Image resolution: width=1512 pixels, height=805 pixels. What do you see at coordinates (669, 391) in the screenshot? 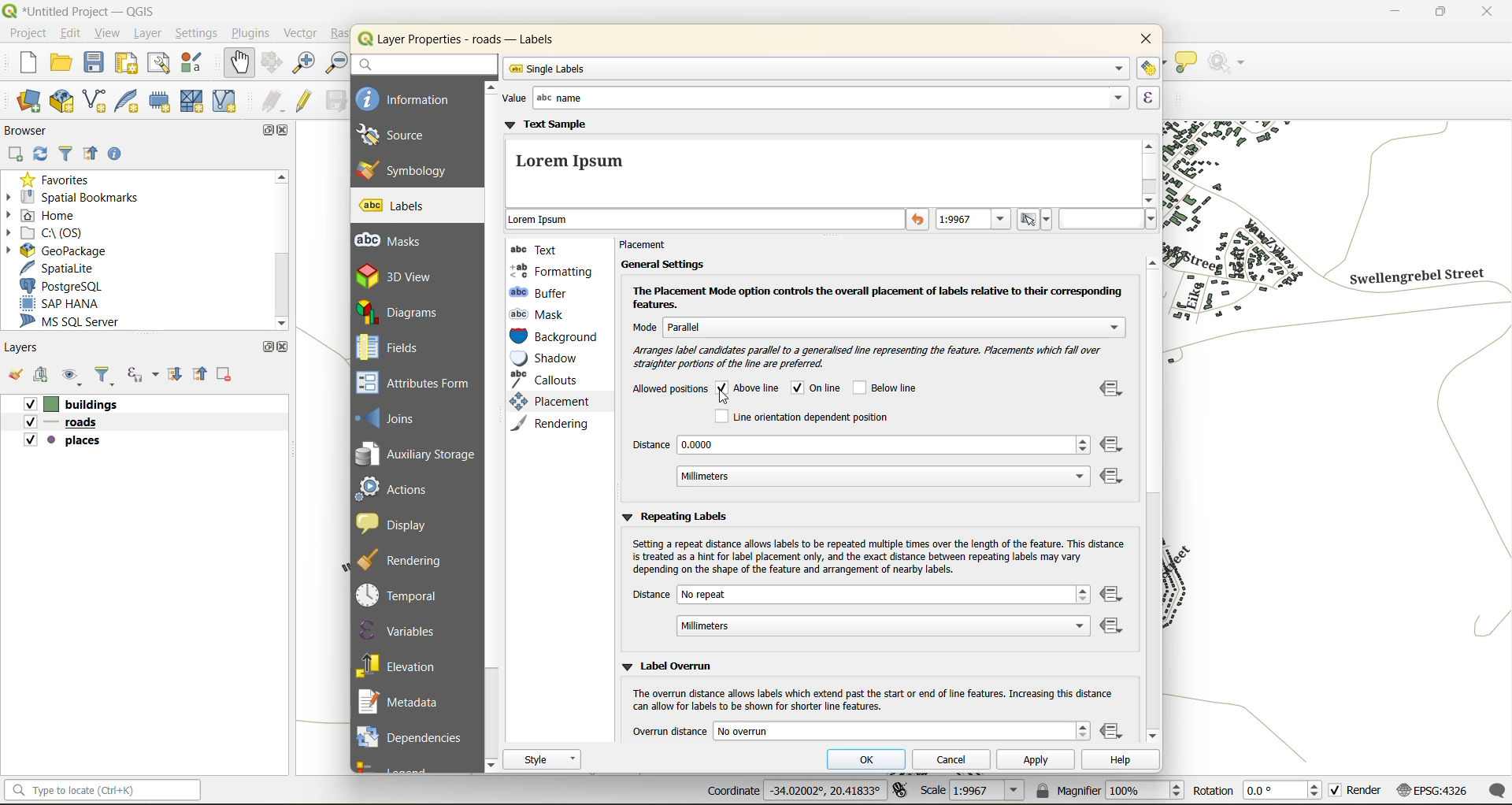
I see `allowed positions` at bounding box center [669, 391].